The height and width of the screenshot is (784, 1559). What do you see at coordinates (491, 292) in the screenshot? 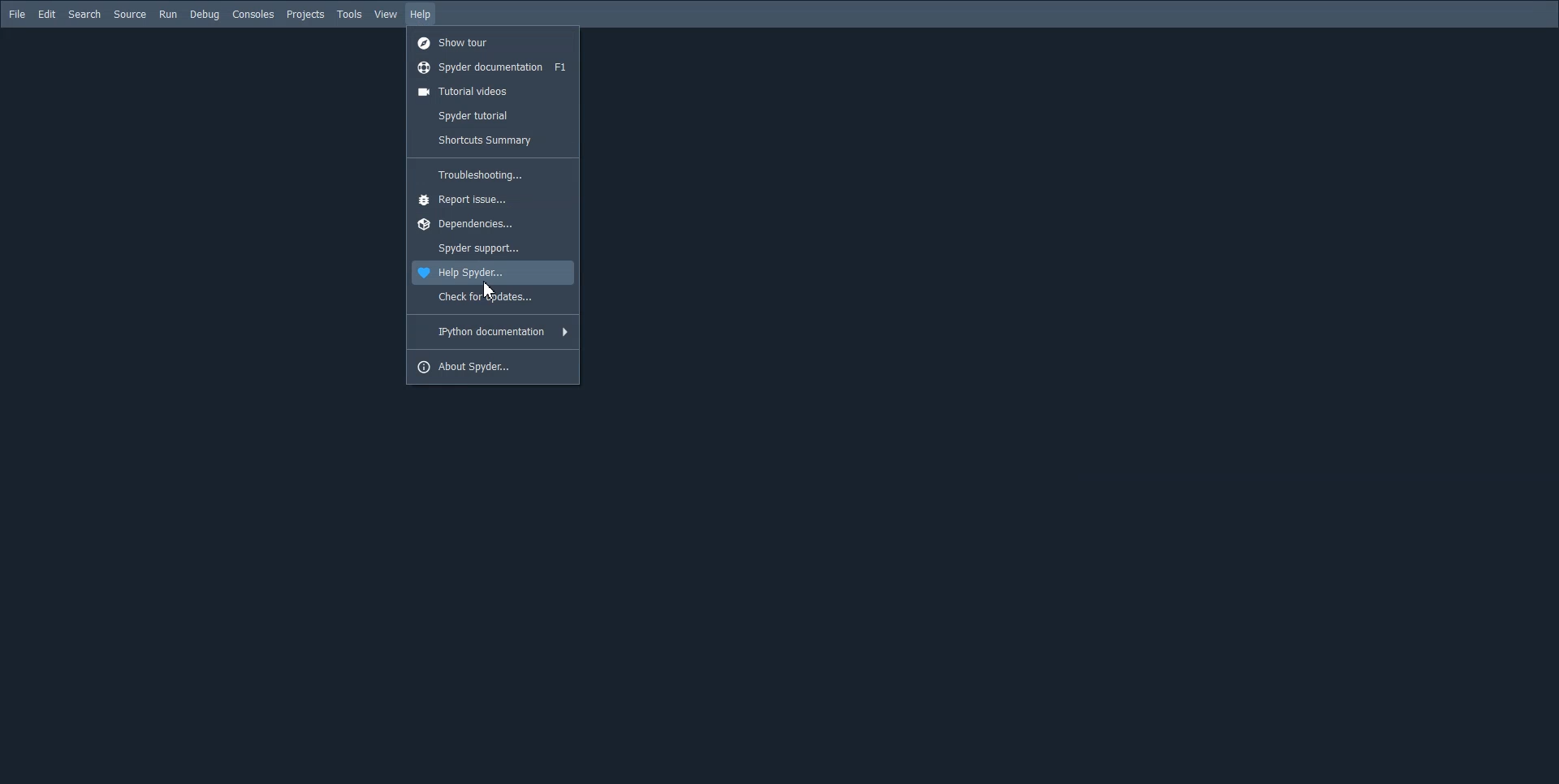
I see `cursor` at bounding box center [491, 292].